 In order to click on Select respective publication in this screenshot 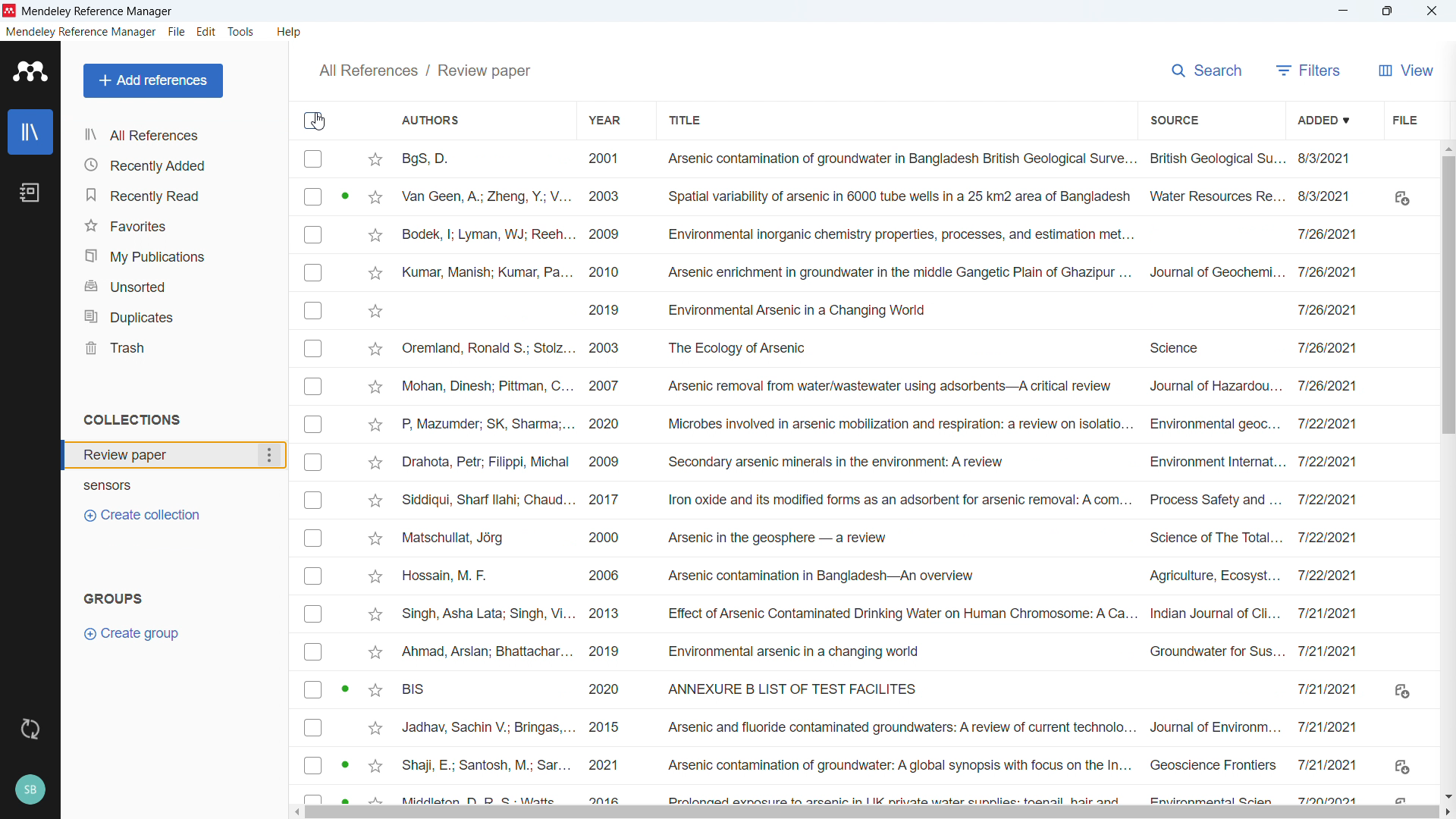, I will do `click(313, 349)`.